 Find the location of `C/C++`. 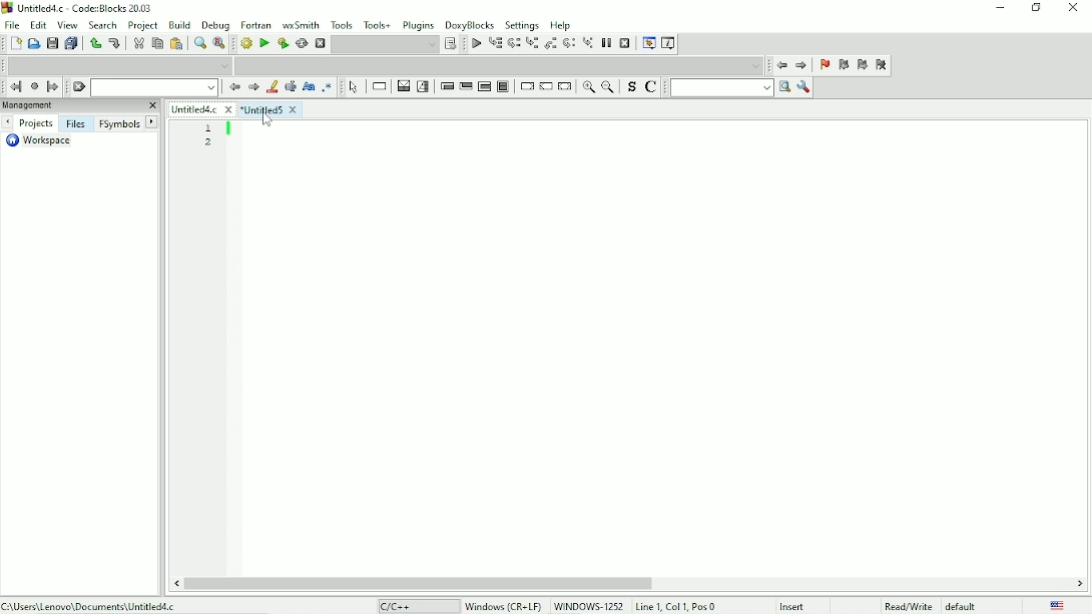

C/C++ is located at coordinates (395, 606).